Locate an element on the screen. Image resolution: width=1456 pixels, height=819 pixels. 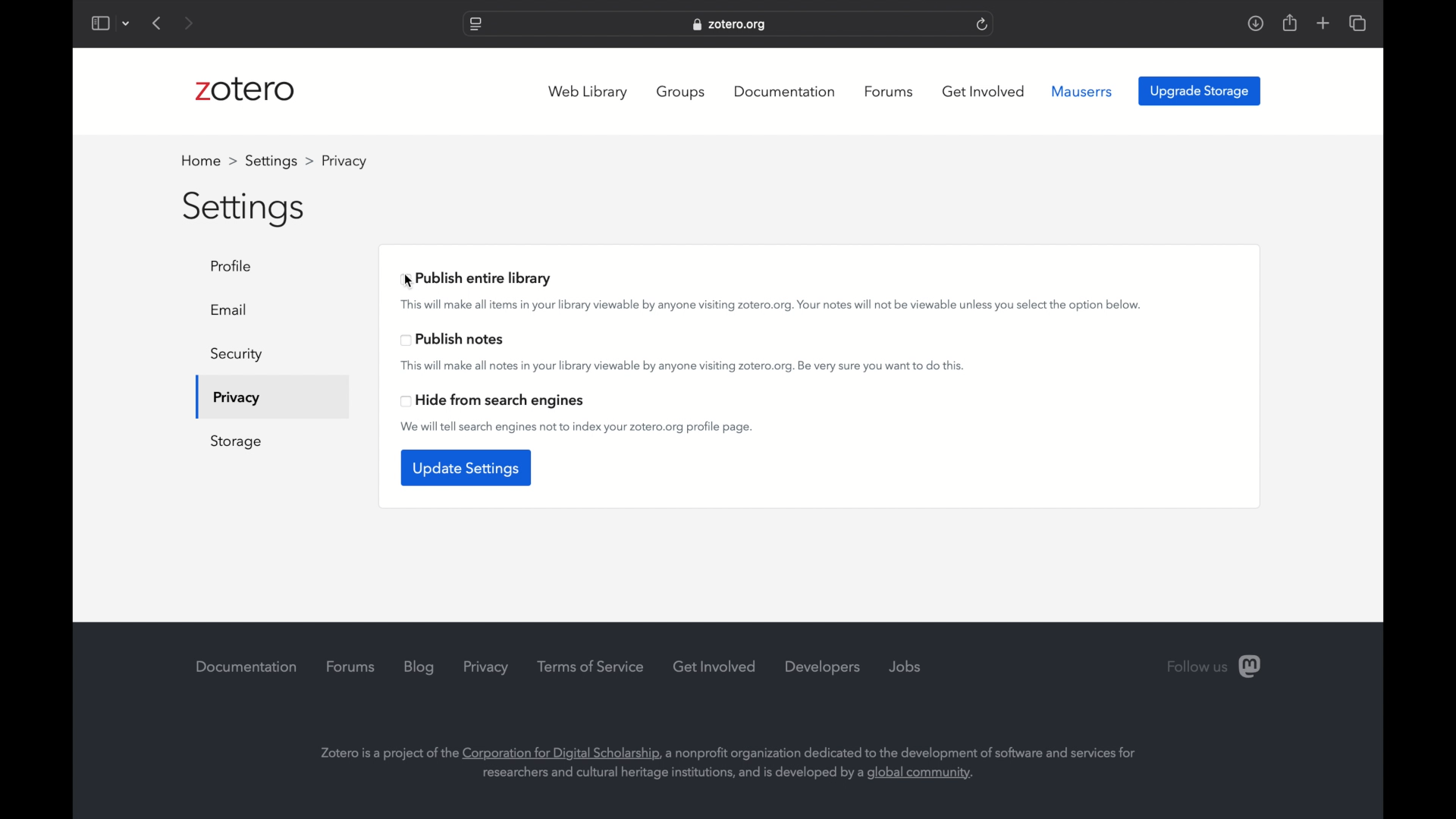
info is located at coordinates (728, 764).